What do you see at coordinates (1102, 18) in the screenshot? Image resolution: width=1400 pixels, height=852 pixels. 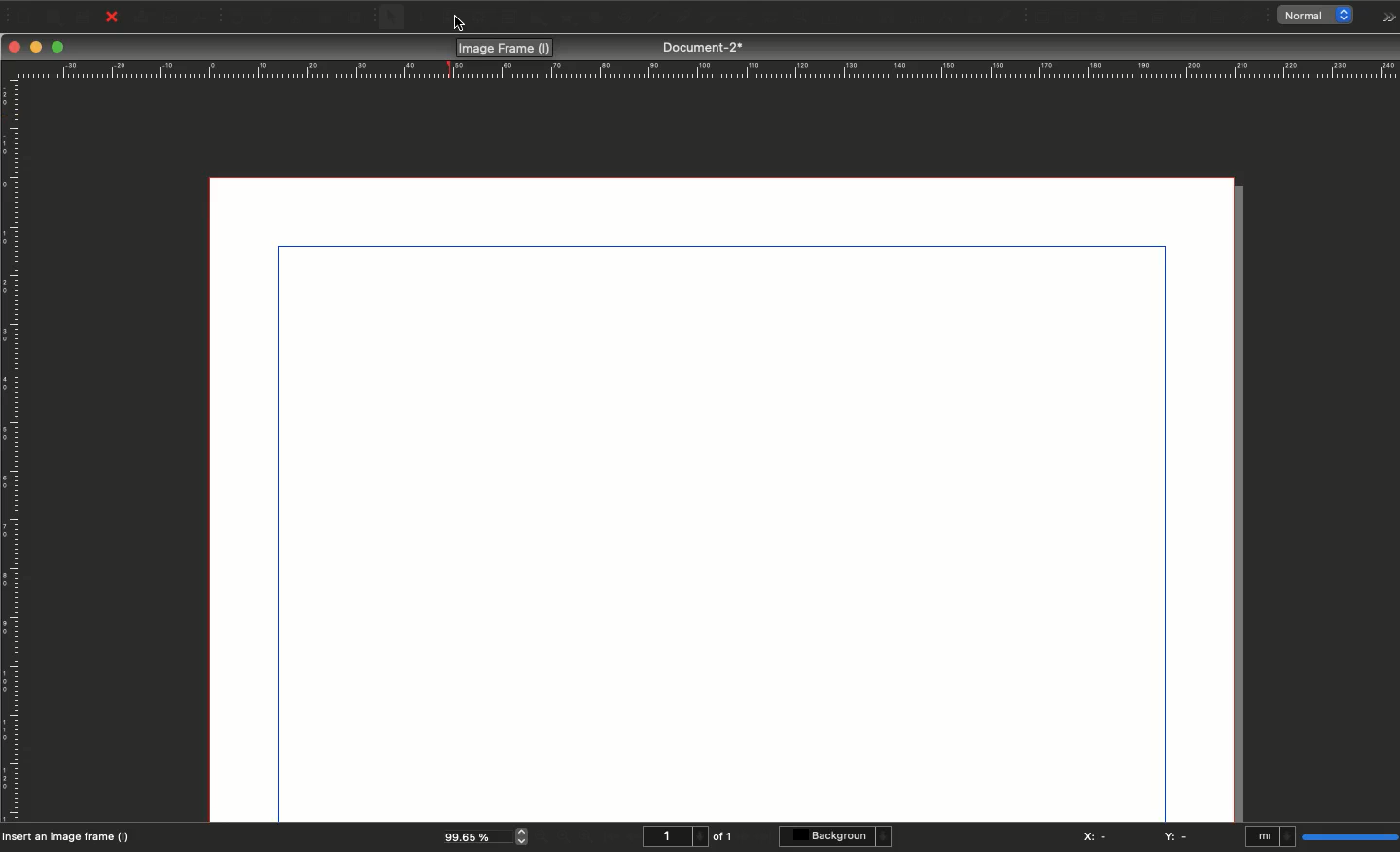 I see `PDF radio button` at bounding box center [1102, 18].